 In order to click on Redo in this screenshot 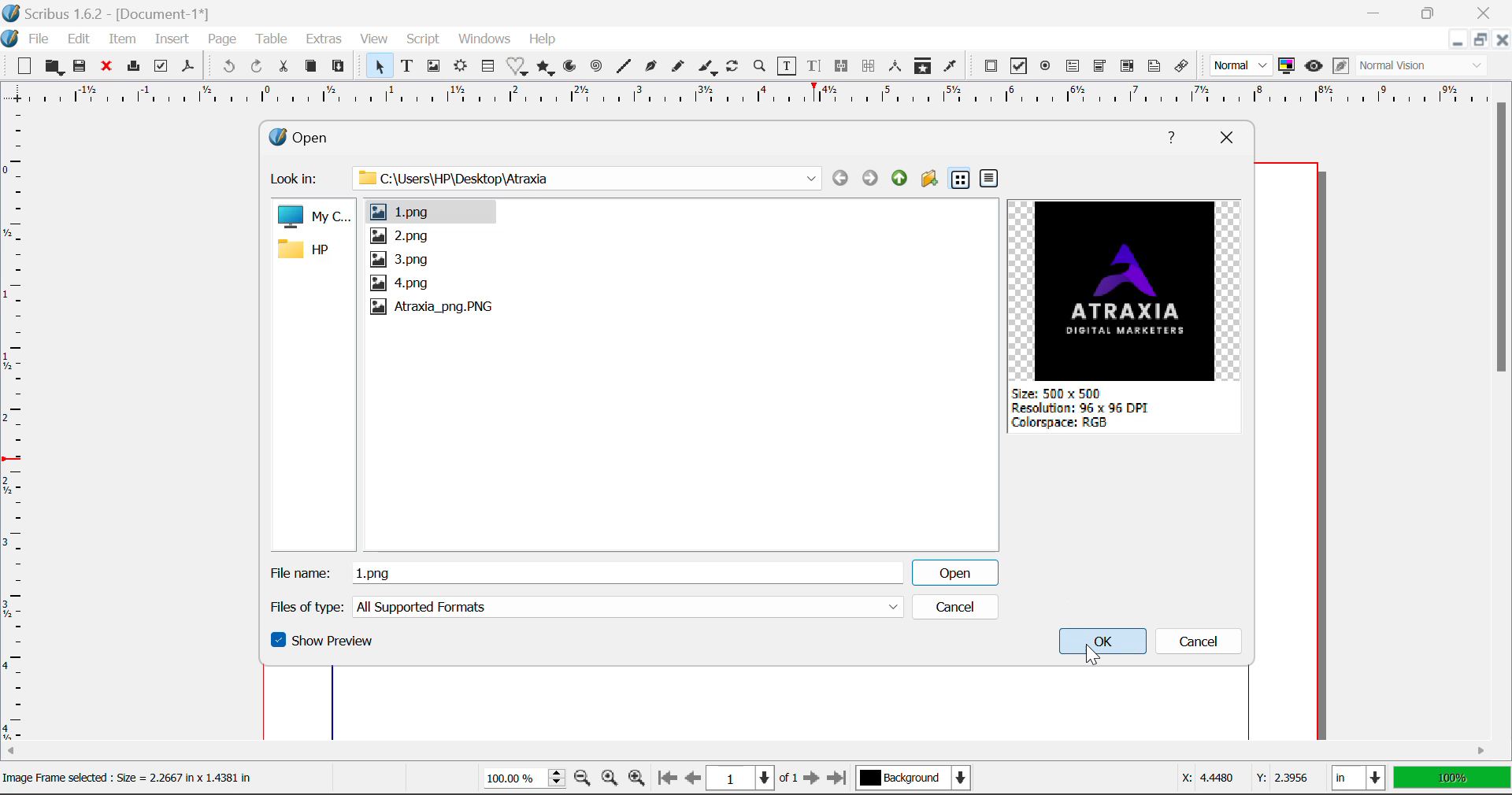, I will do `click(256, 65)`.